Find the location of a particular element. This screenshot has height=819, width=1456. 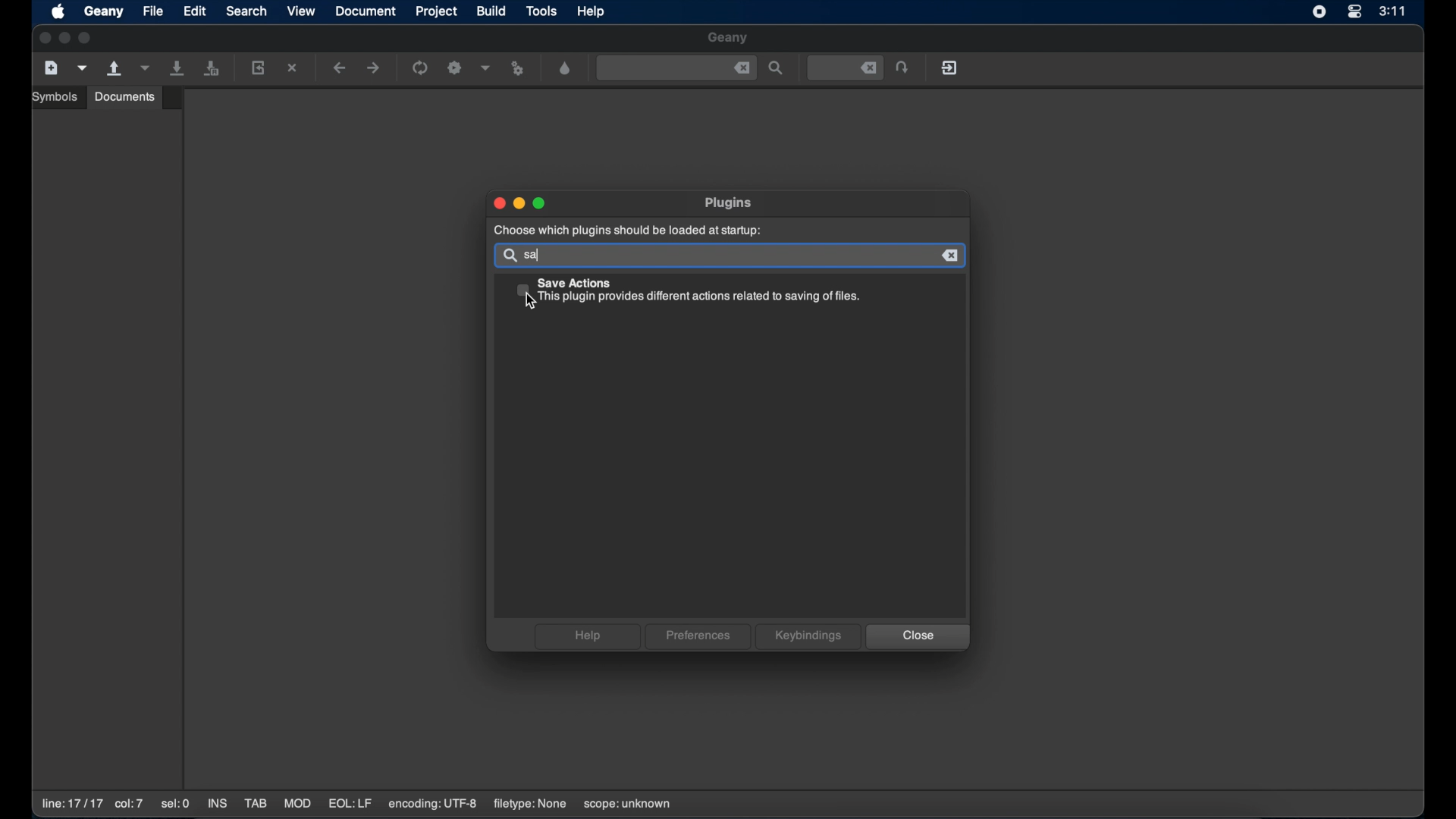

keybindings is located at coordinates (808, 636).